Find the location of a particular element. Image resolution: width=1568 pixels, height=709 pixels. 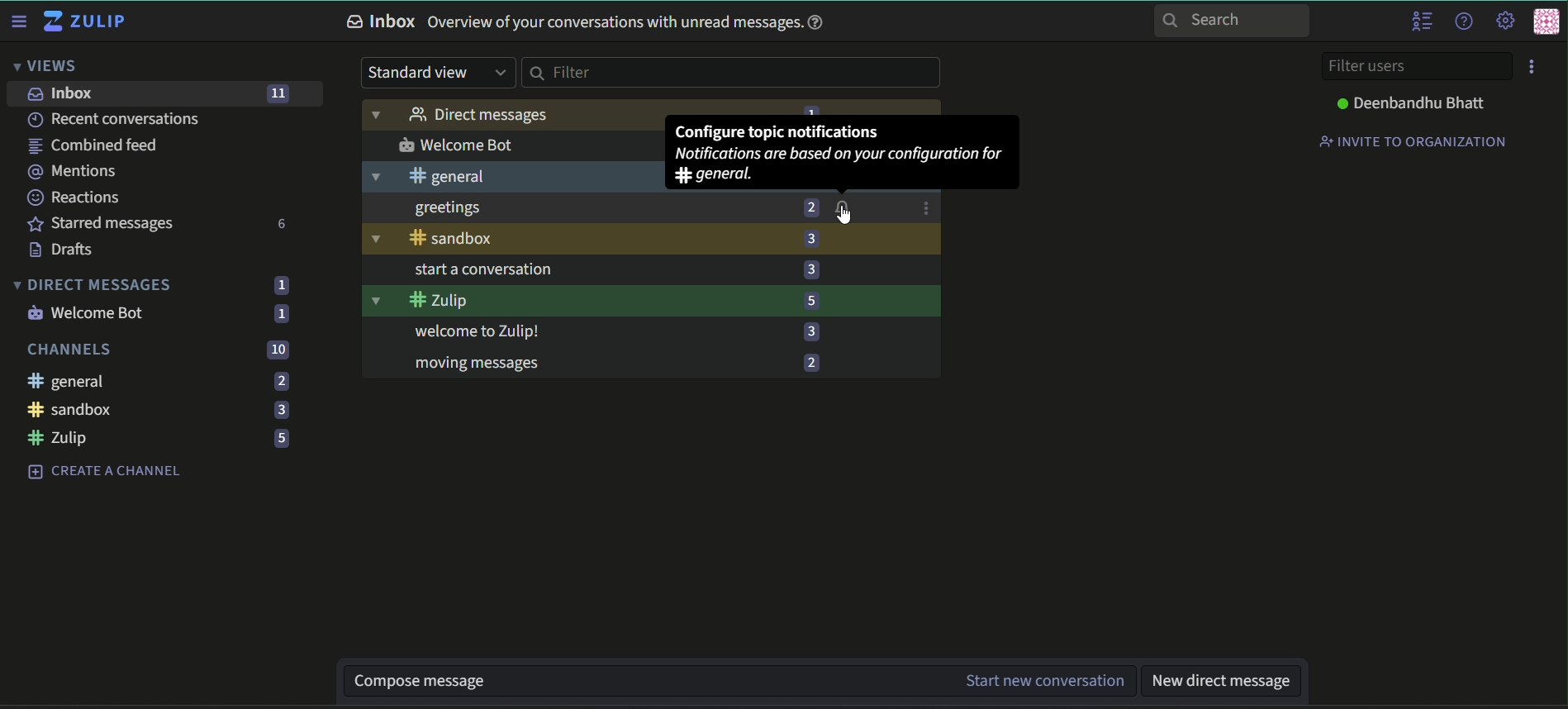

Starred Messages is located at coordinates (100, 224).